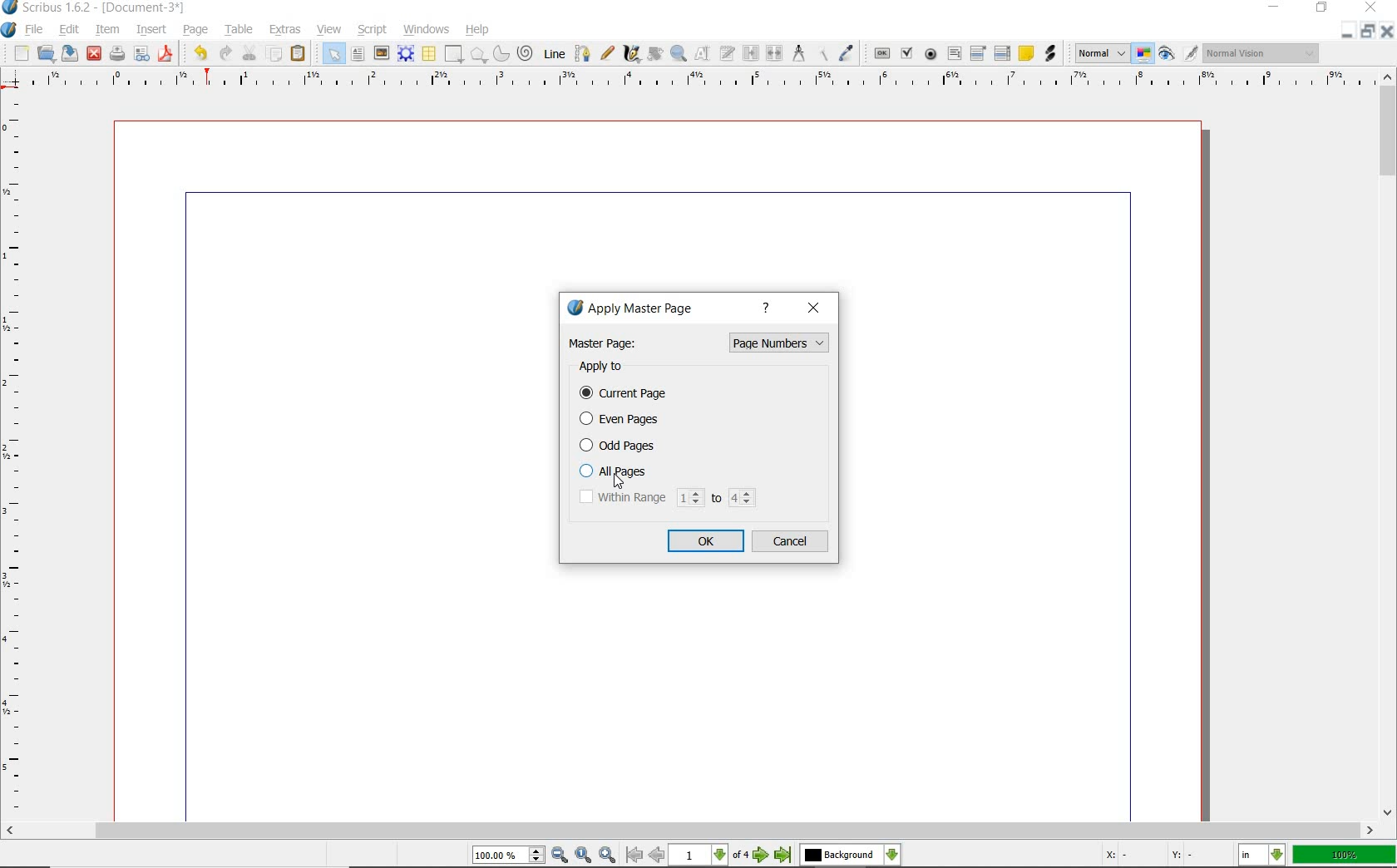 The image size is (1397, 868). What do you see at coordinates (452, 55) in the screenshot?
I see `shape` at bounding box center [452, 55].